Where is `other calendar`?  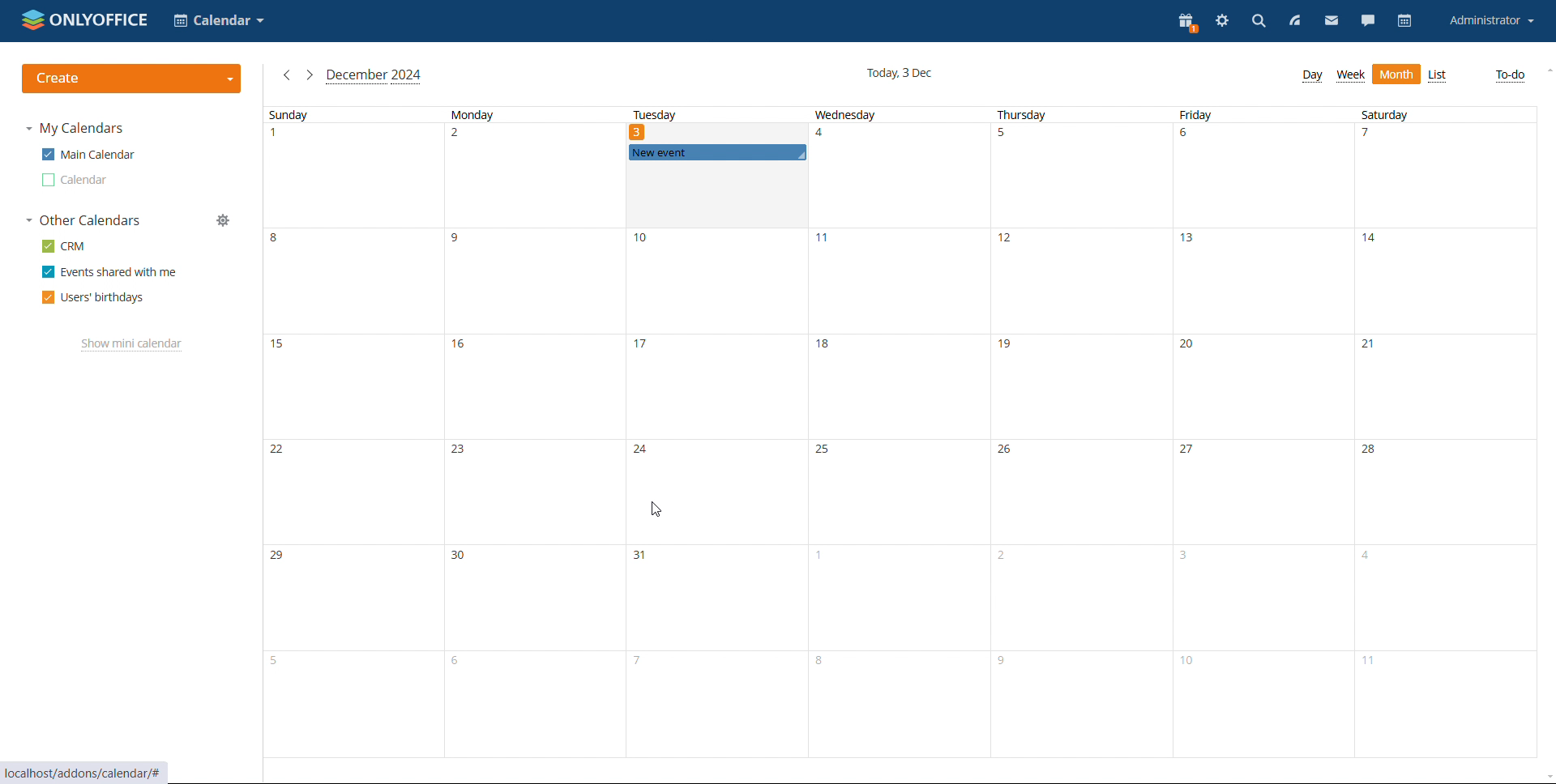 other calendar is located at coordinates (76, 180).